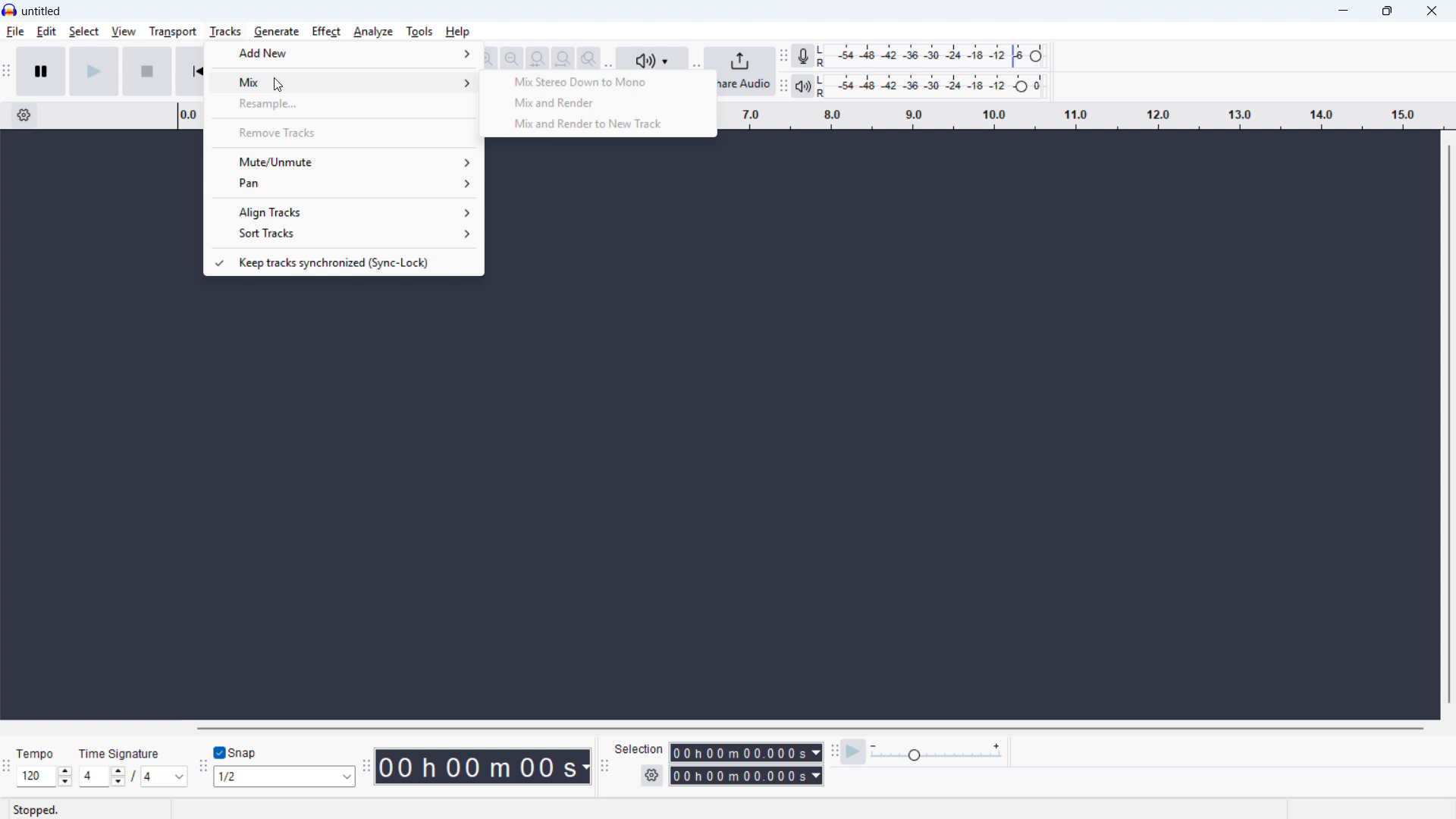  Describe the element at coordinates (783, 86) in the screenshot. I see `playback metre toolbar ` at that location.